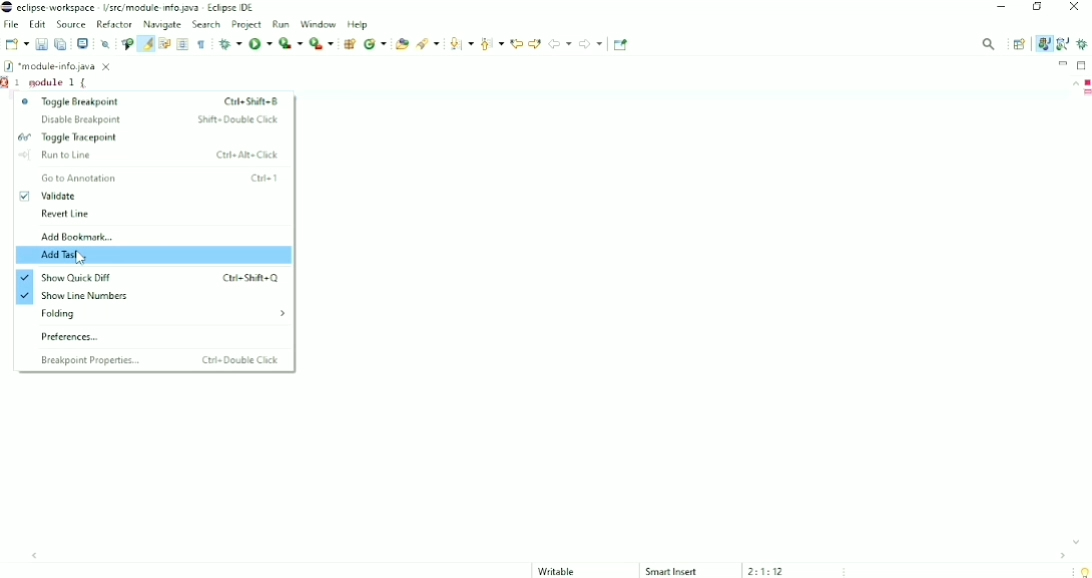  What do you see at coordinates (247, 24) in the screenshot?
I see `Project` at bounding box center [247, 24].